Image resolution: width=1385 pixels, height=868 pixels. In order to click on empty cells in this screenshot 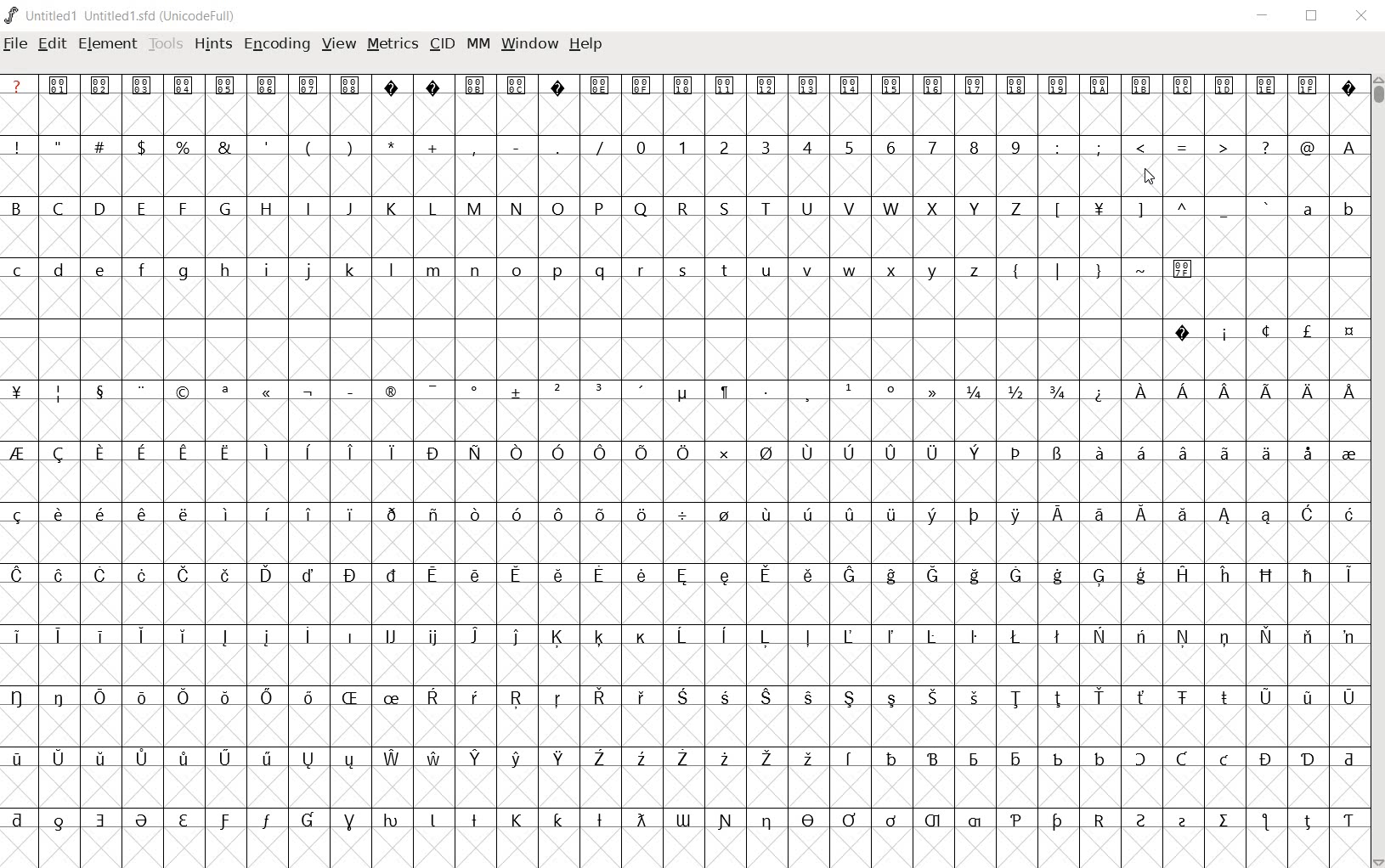, I will do `click(681, 176)`.